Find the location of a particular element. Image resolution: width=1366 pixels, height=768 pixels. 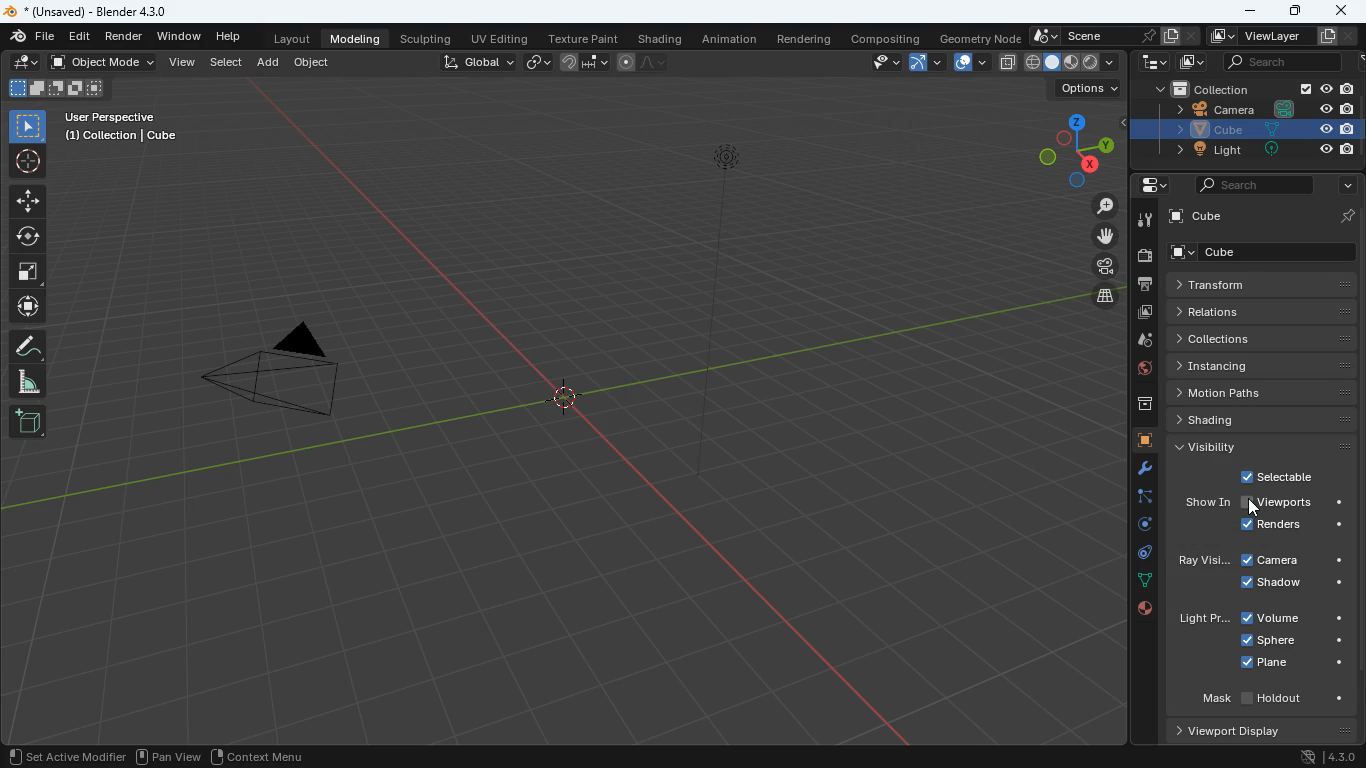

maximize is located at coordinates (1293, 11).